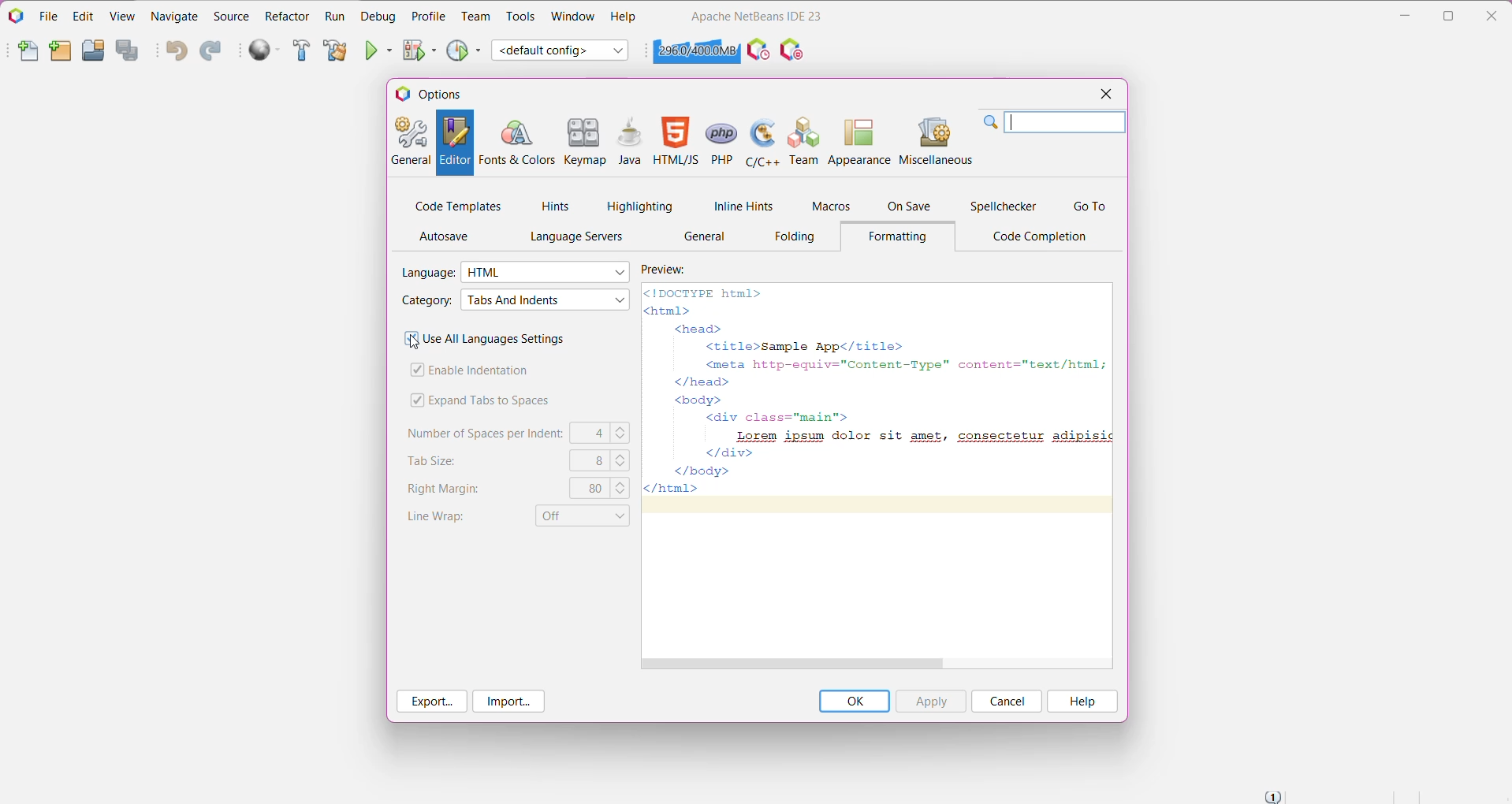 This screenshot has height=804, width=1512. What do you see at coordinates (516, 143) in the screenshot?
I see `Fonts and Colors` at bounding box center [516, 143].